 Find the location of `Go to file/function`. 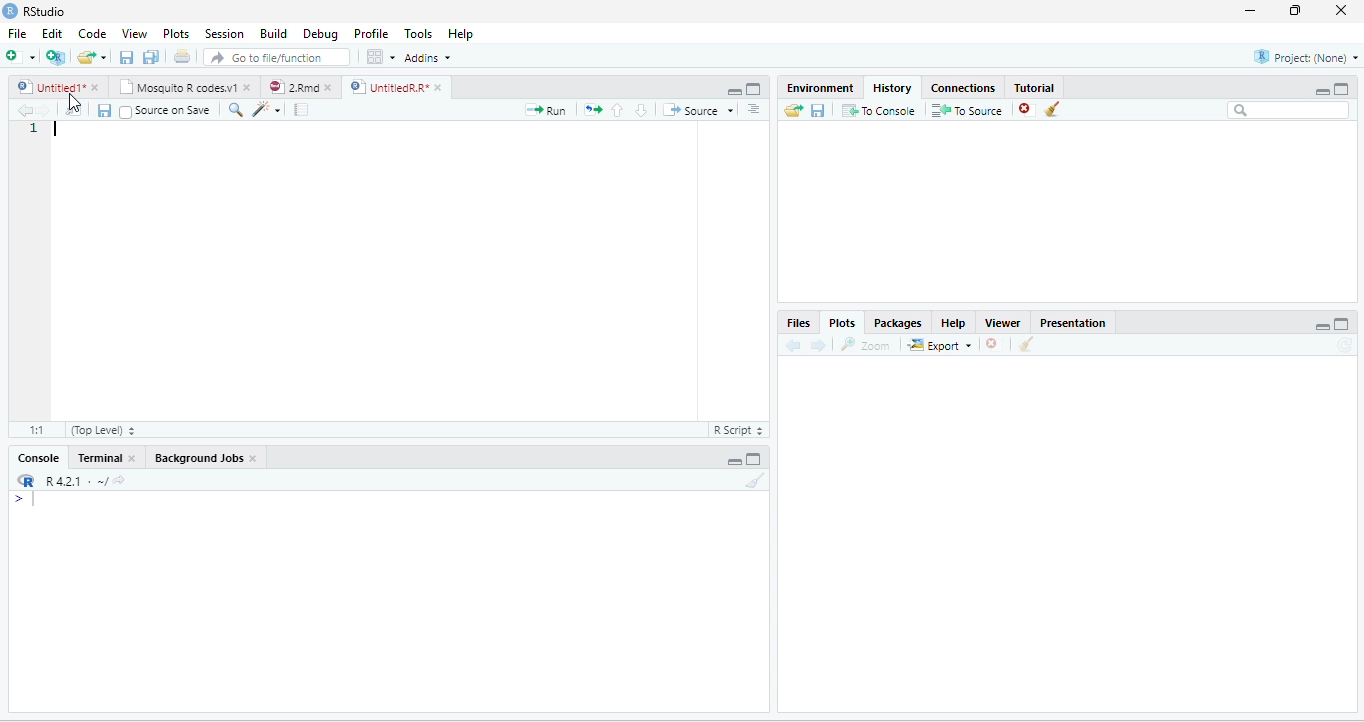

Go to file/function is located at coordinates (277, 56).